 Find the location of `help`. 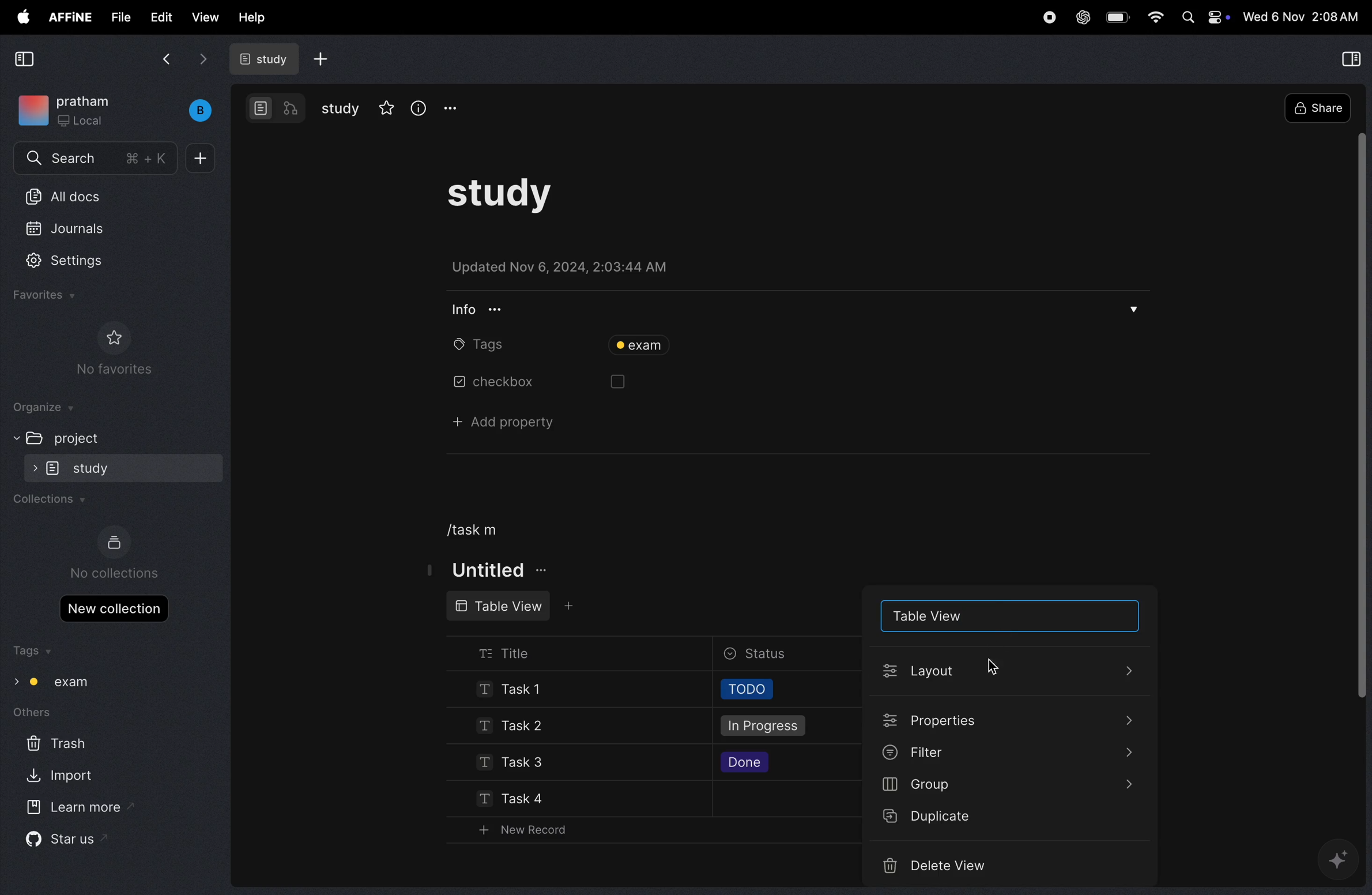

help is located at coordinates (254, 18).